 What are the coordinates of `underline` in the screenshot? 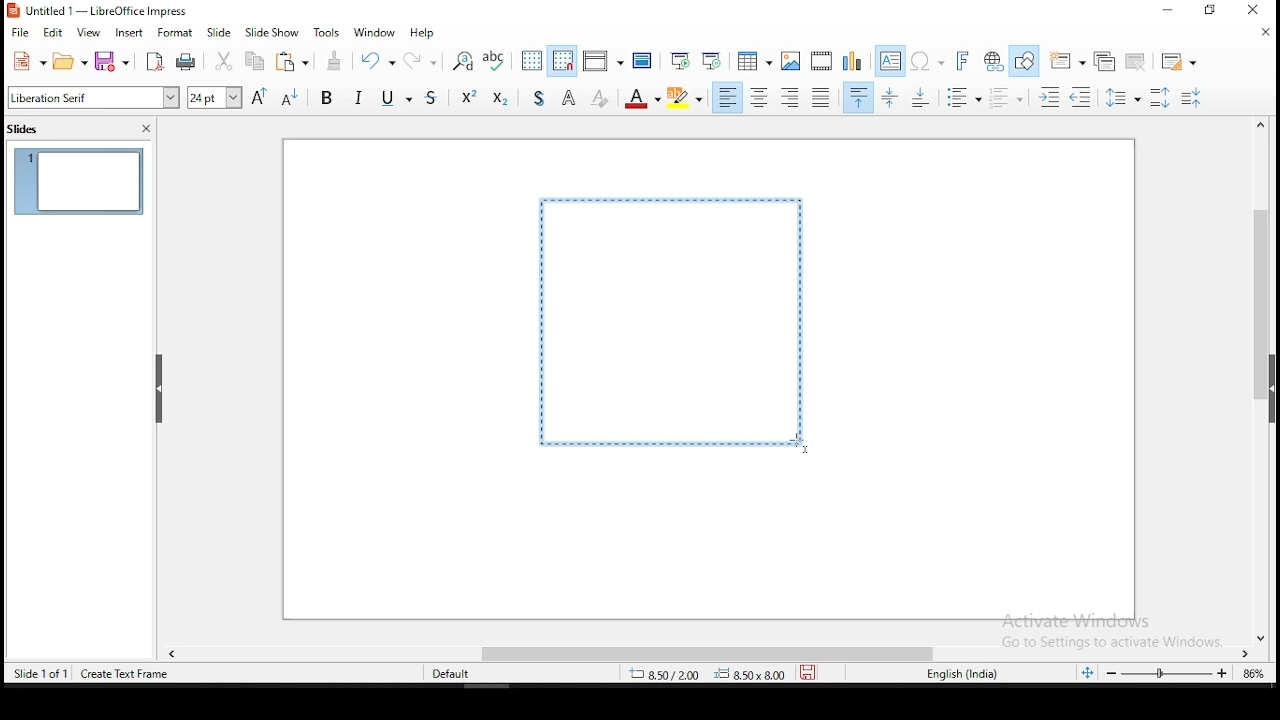 It's located at (387, 100).